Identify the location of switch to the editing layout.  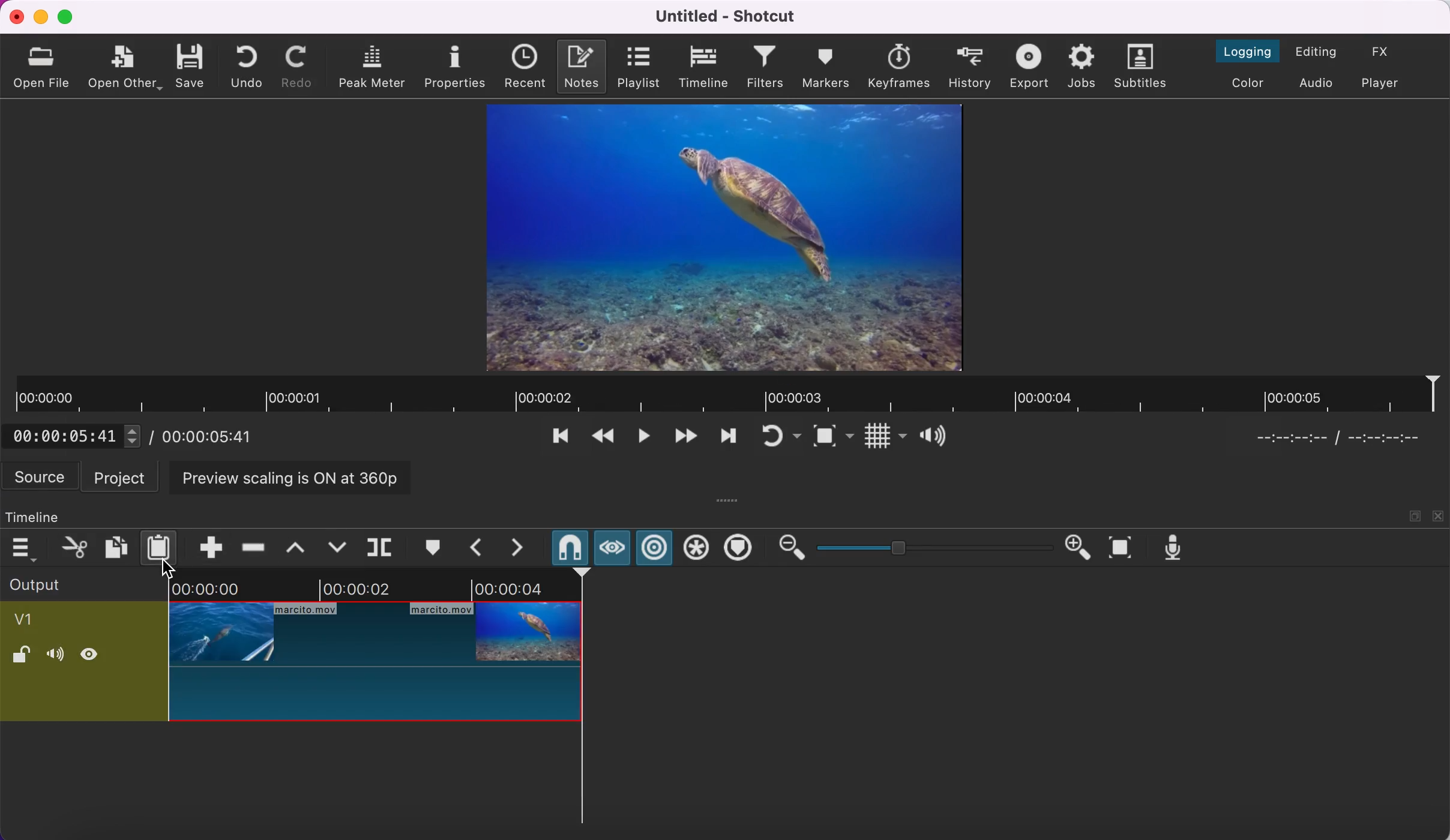
(1320, 51).